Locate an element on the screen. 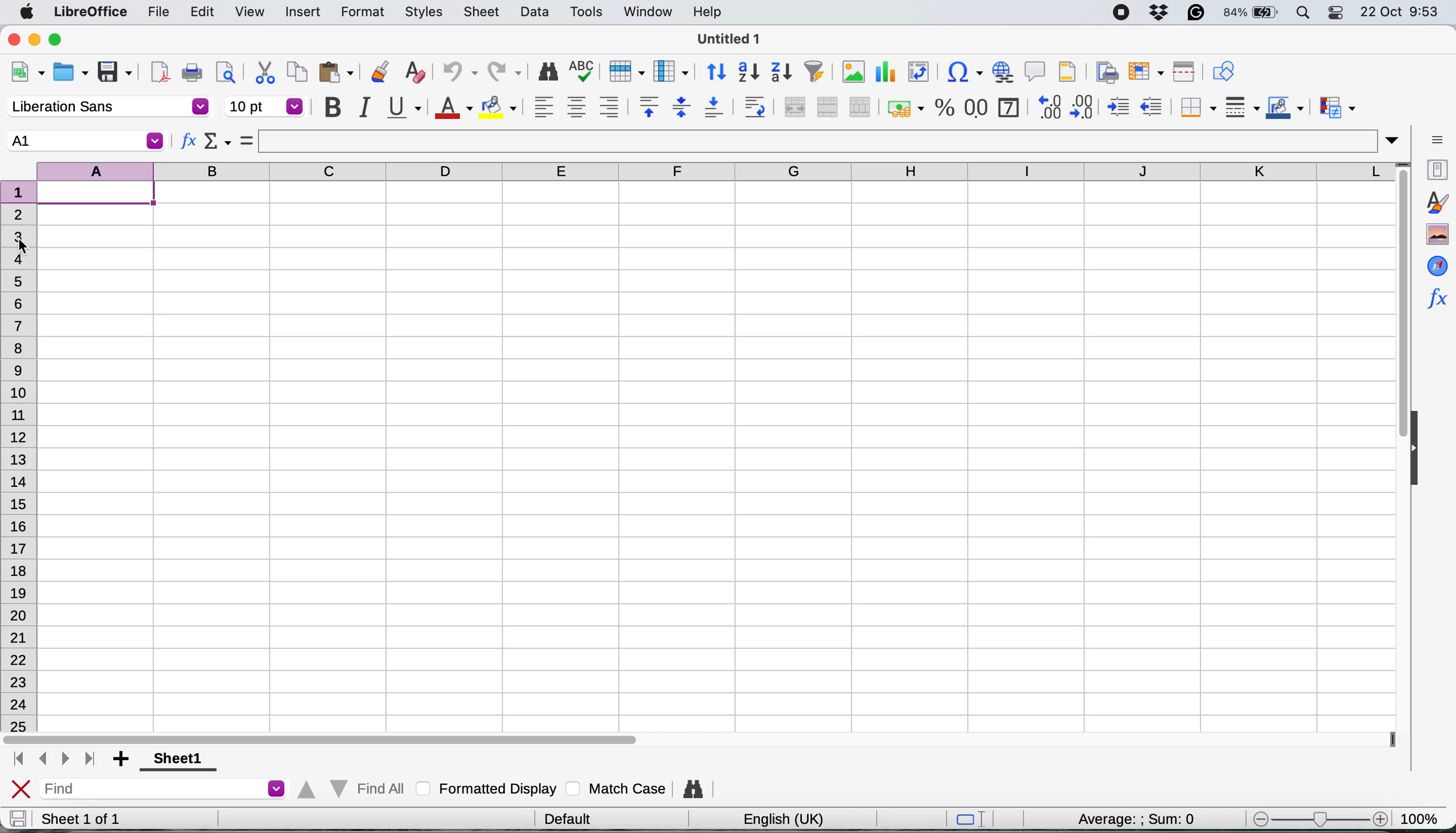  merge is located at coordinates (826, 108).